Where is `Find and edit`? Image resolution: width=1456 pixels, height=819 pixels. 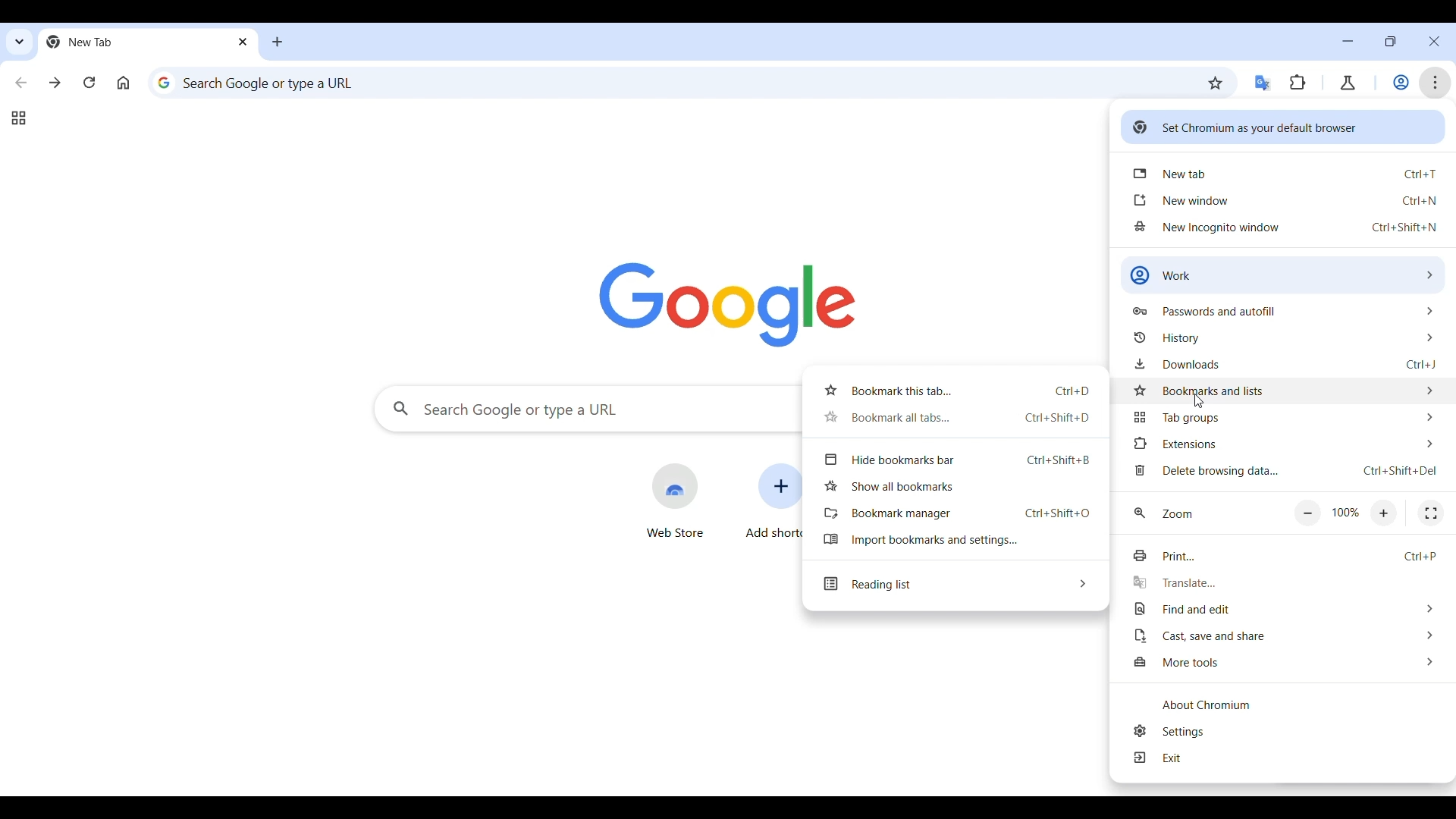
Find and edit is located at coordinates (1285, 609).